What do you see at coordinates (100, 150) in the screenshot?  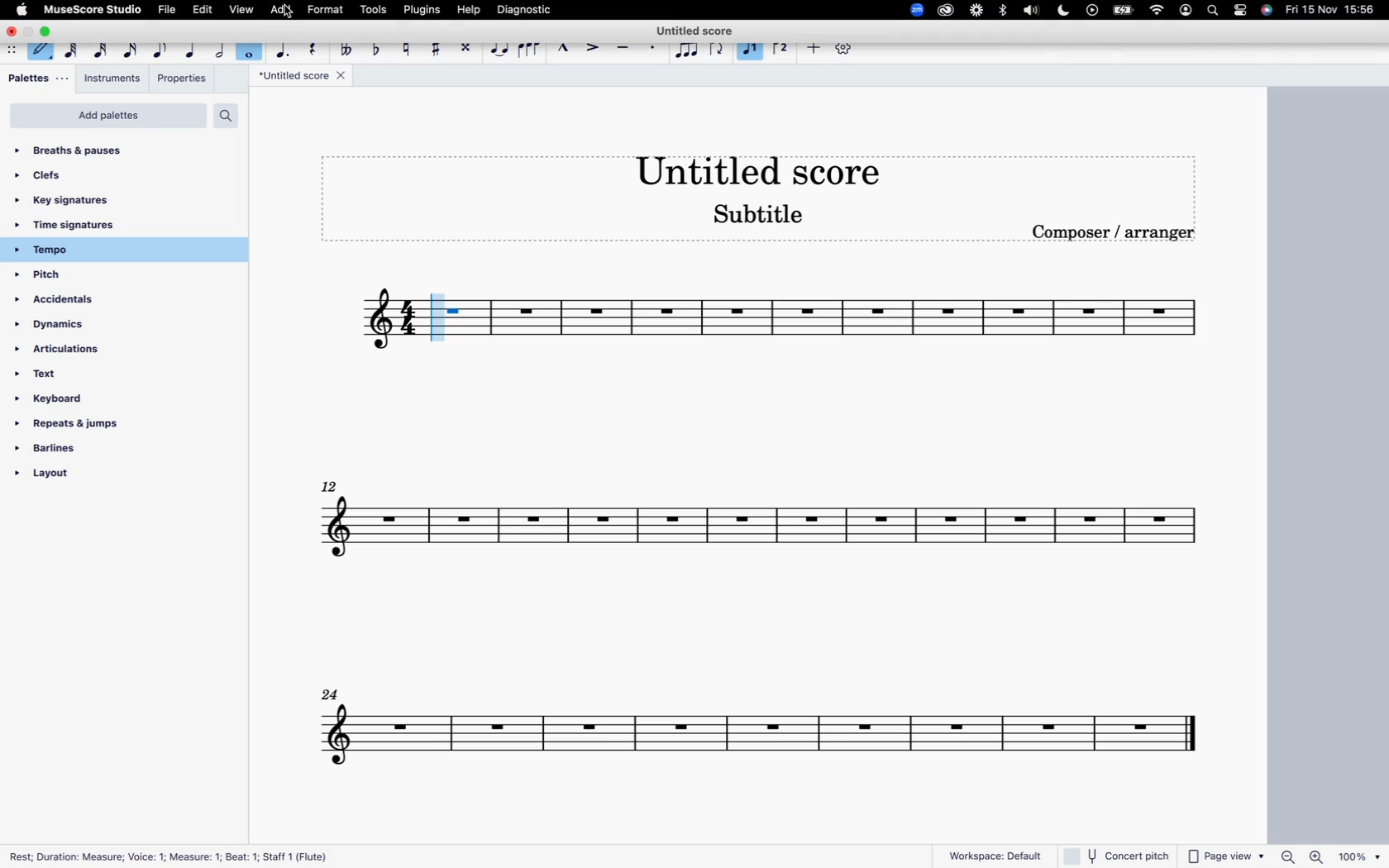 I see `breaths & pauses` at bounding box center [100, 150].